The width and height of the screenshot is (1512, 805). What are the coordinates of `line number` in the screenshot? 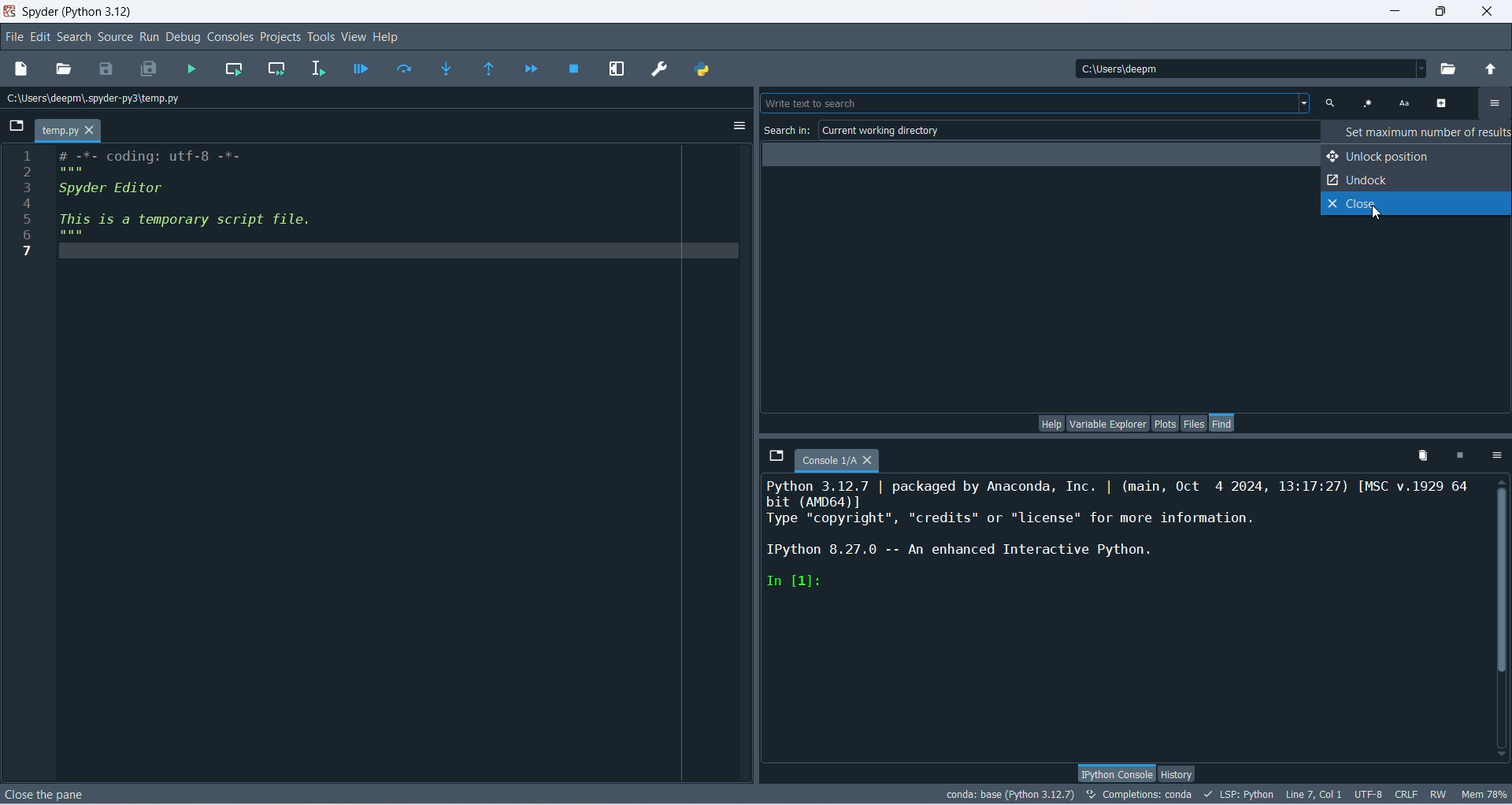 It's located at (27, 202).